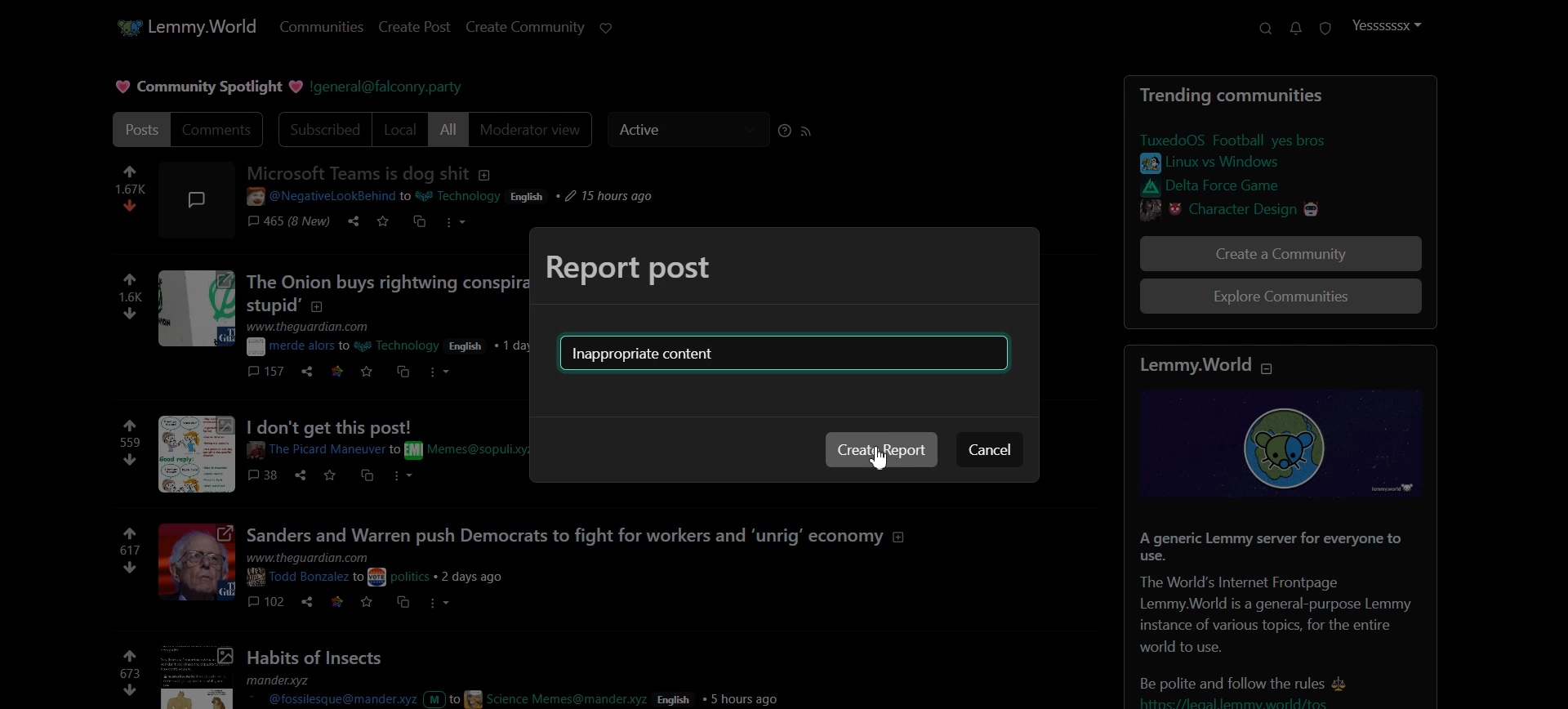 The image size is (1568, 709). I want to click on image, so click(198, 563).